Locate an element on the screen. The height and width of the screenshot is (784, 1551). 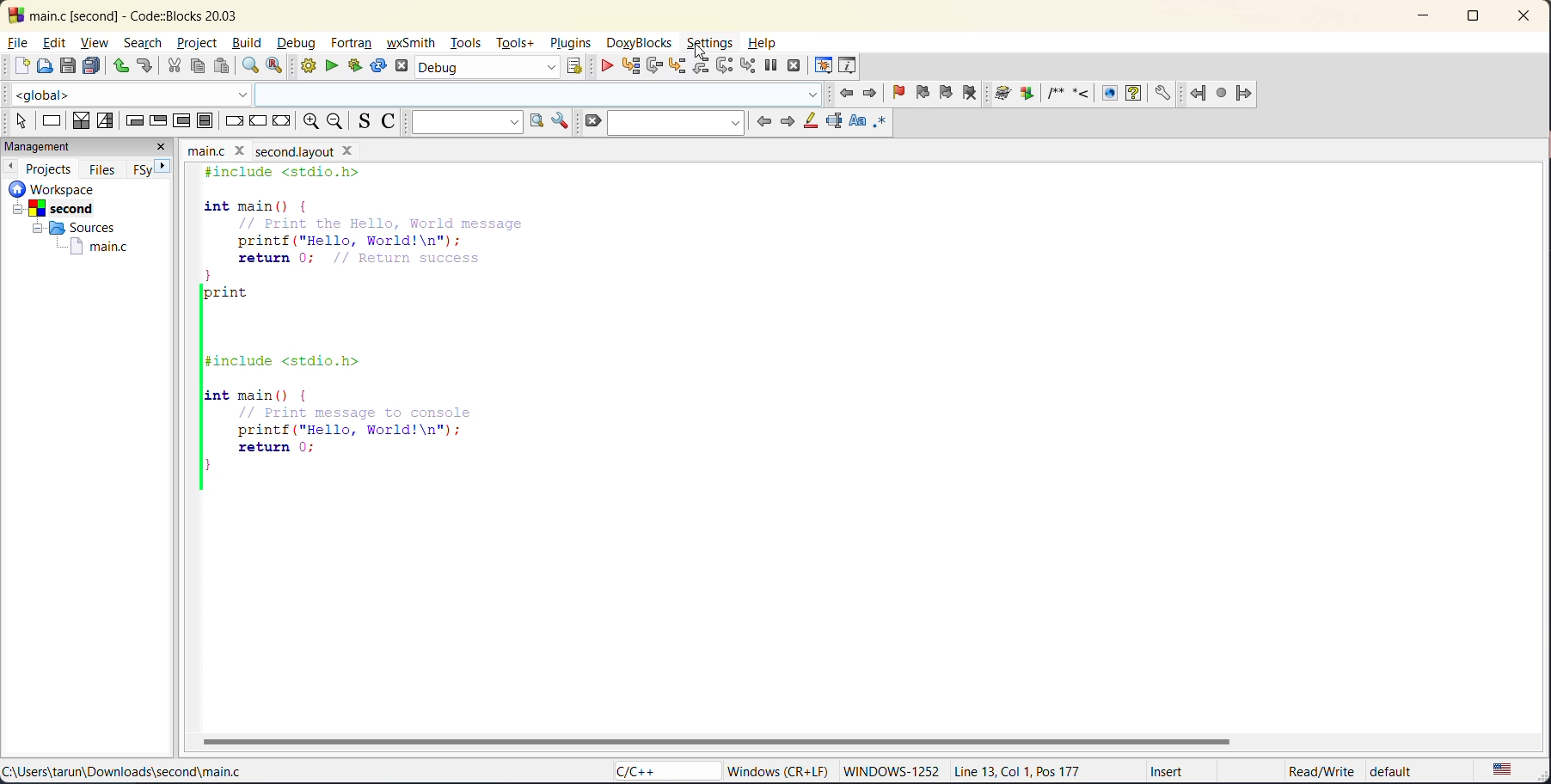
wxsmith is located at coordinates (414, 42).